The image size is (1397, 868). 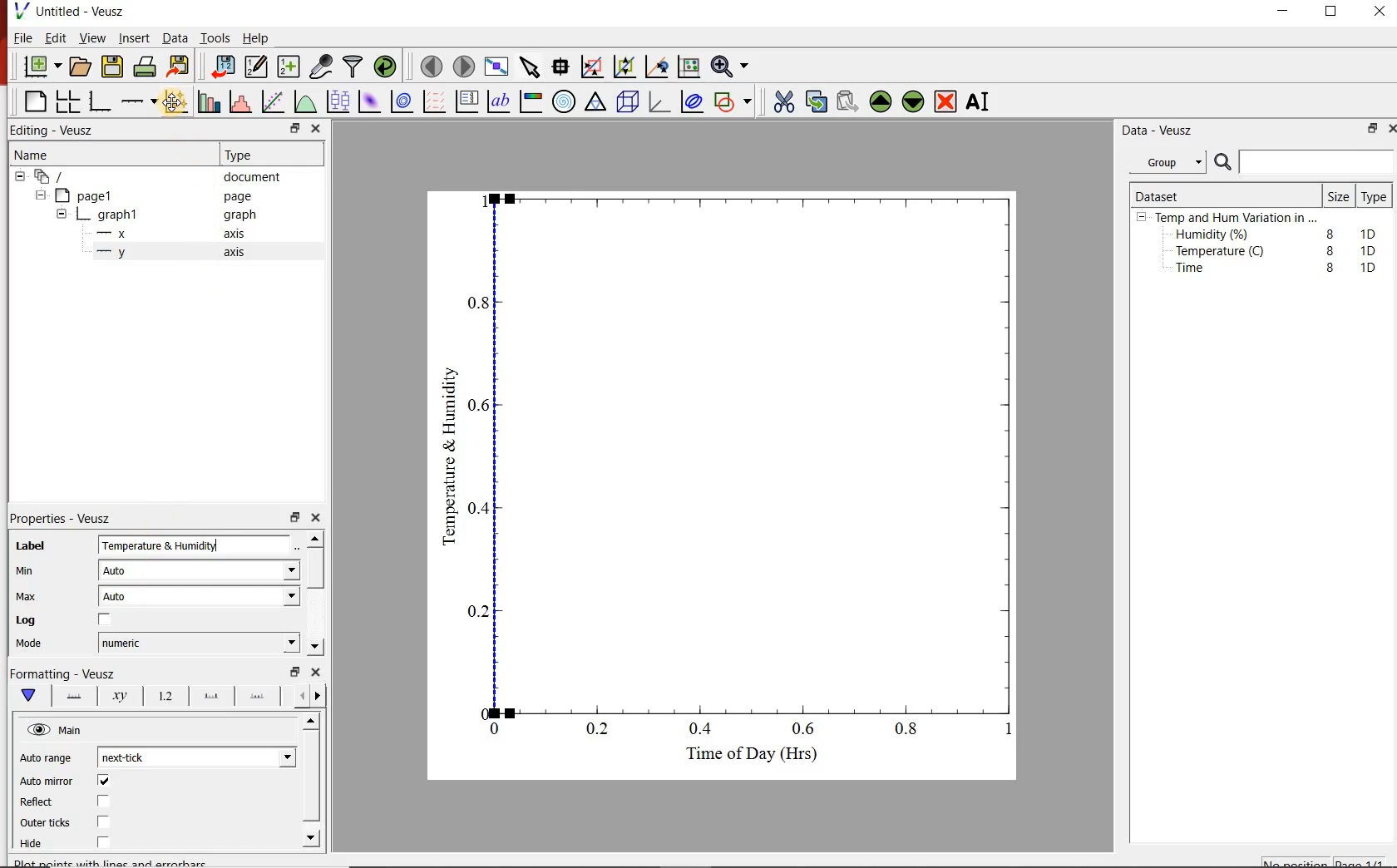 What do you see at coordinates (101, 99) in the screenshot?
I see `base graph` at bounding box center [101, 99].